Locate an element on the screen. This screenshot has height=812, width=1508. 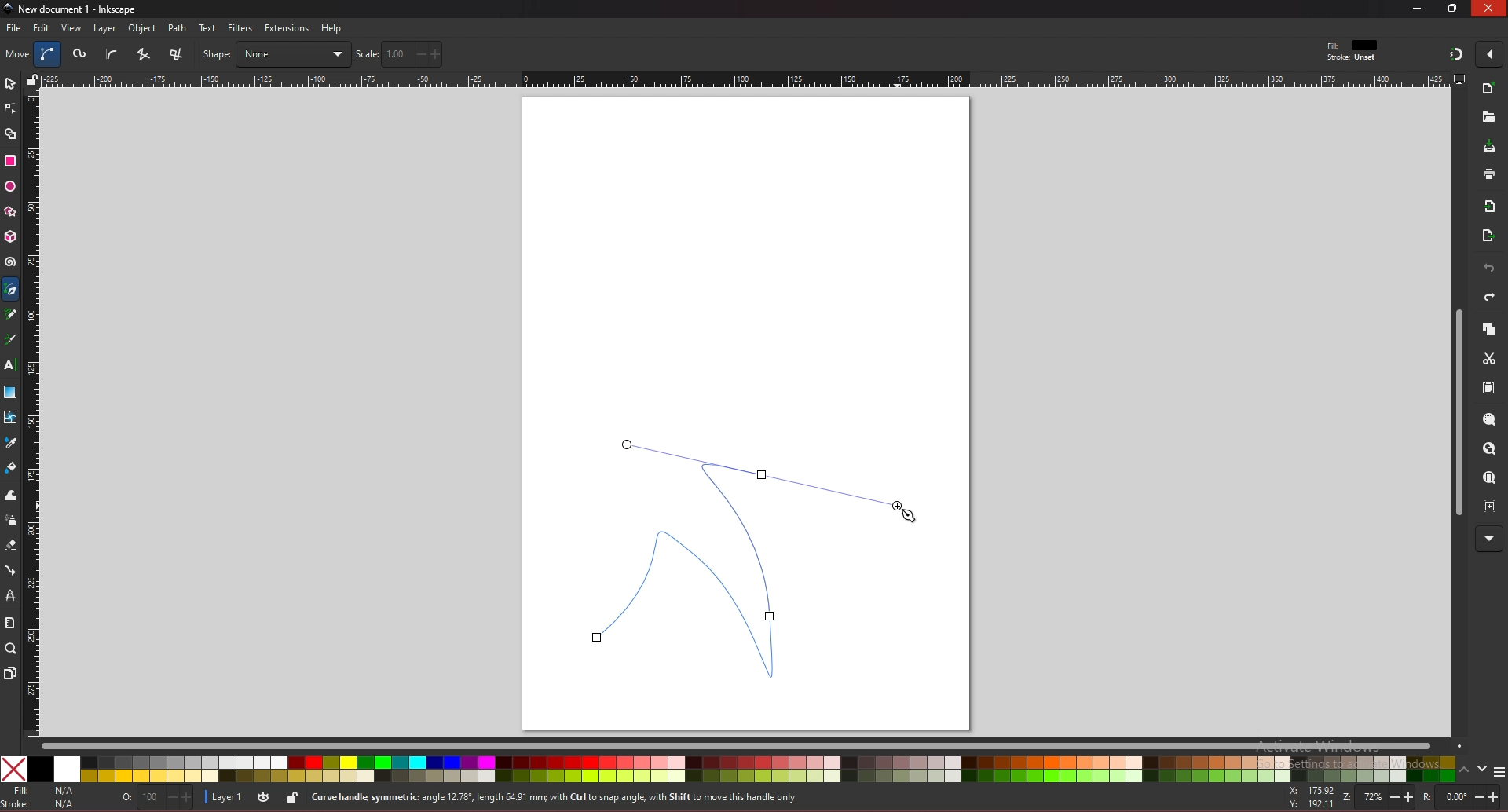
copy is located at coordinates (1488, 330).